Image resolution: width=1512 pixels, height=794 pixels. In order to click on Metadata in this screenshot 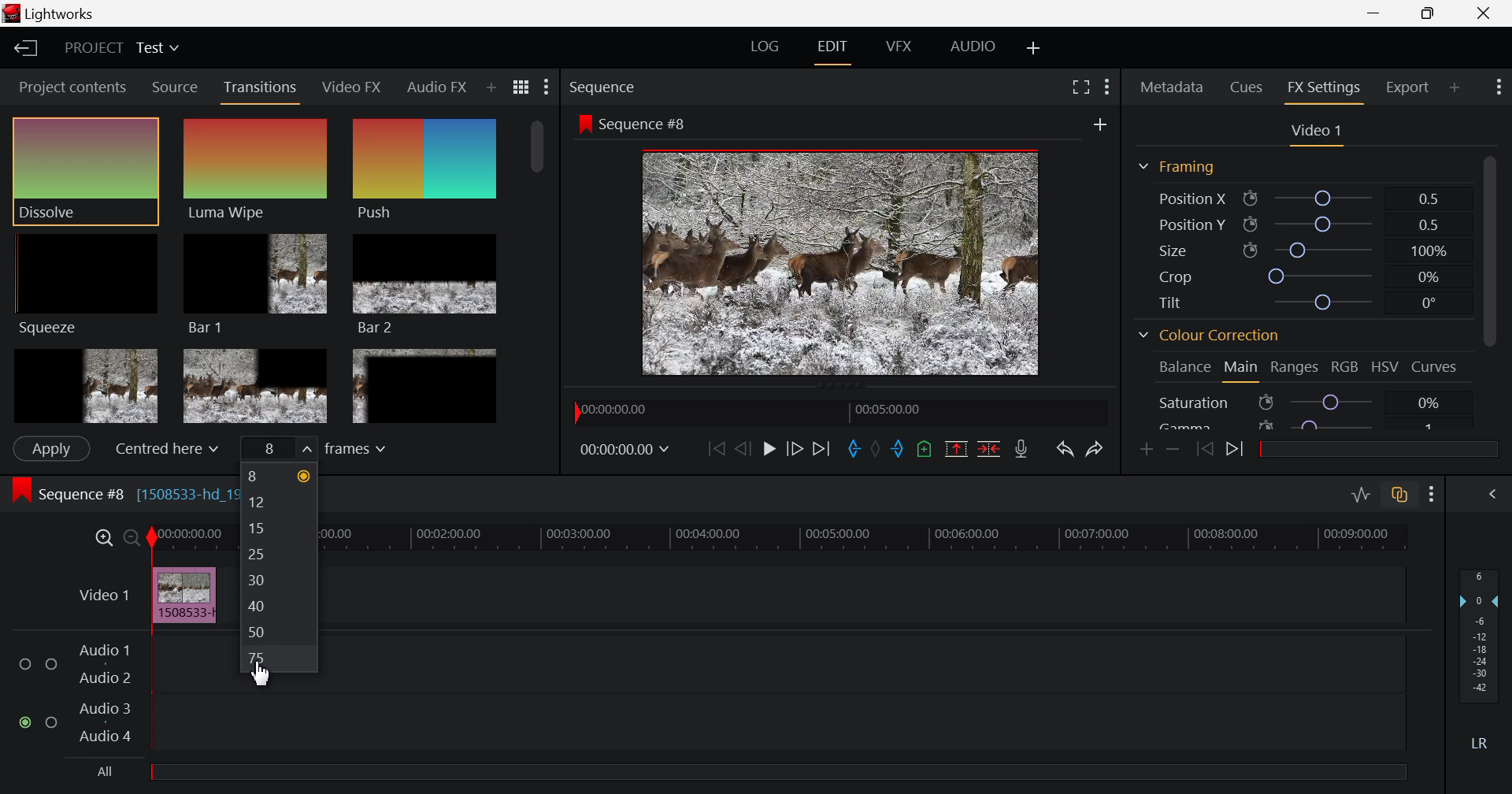, I will do `click(1172, 85)`.